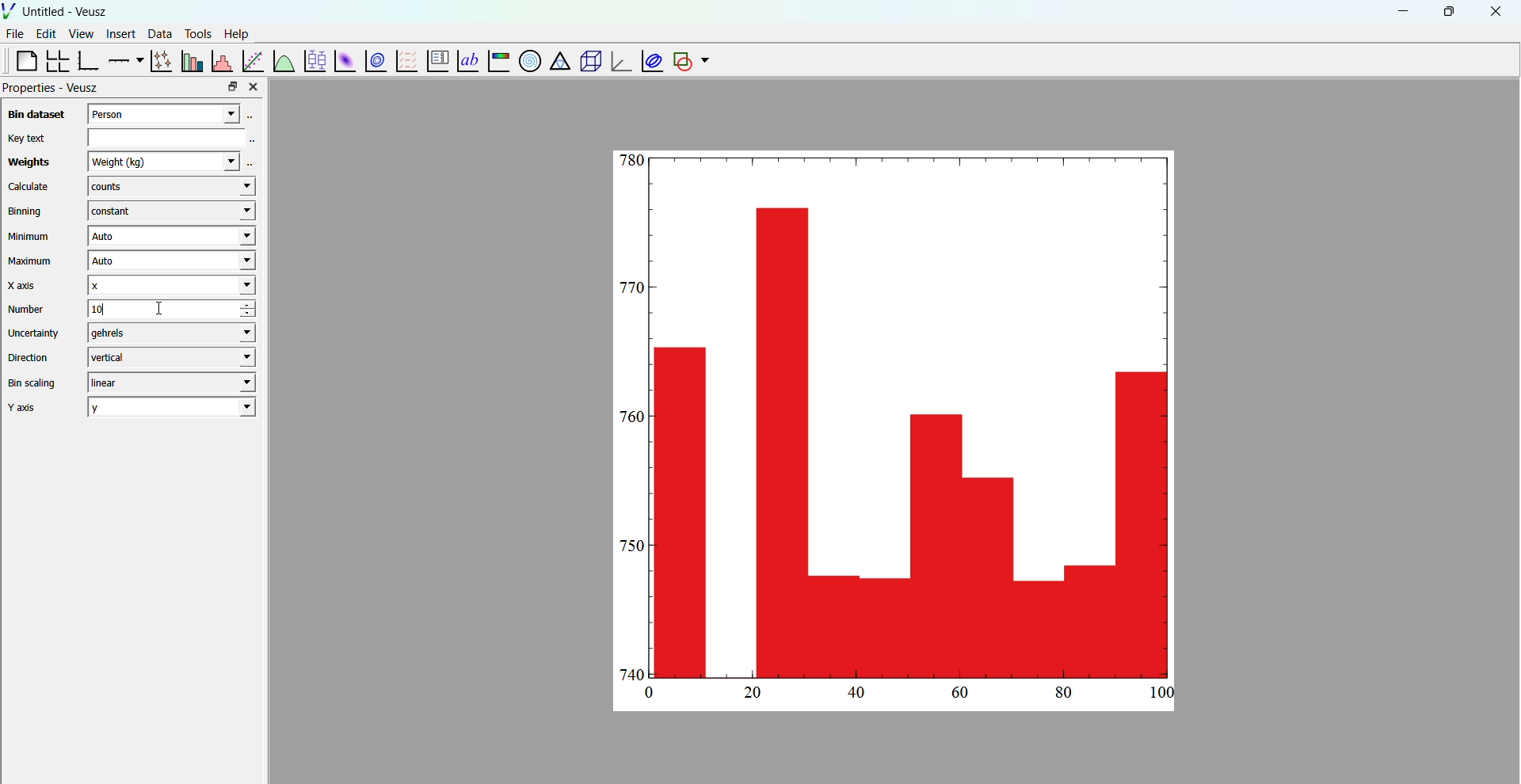  What do you see at coordinates (29, 237) in the screenshot?
I see `Minimum` at bounding box center [29, 237].